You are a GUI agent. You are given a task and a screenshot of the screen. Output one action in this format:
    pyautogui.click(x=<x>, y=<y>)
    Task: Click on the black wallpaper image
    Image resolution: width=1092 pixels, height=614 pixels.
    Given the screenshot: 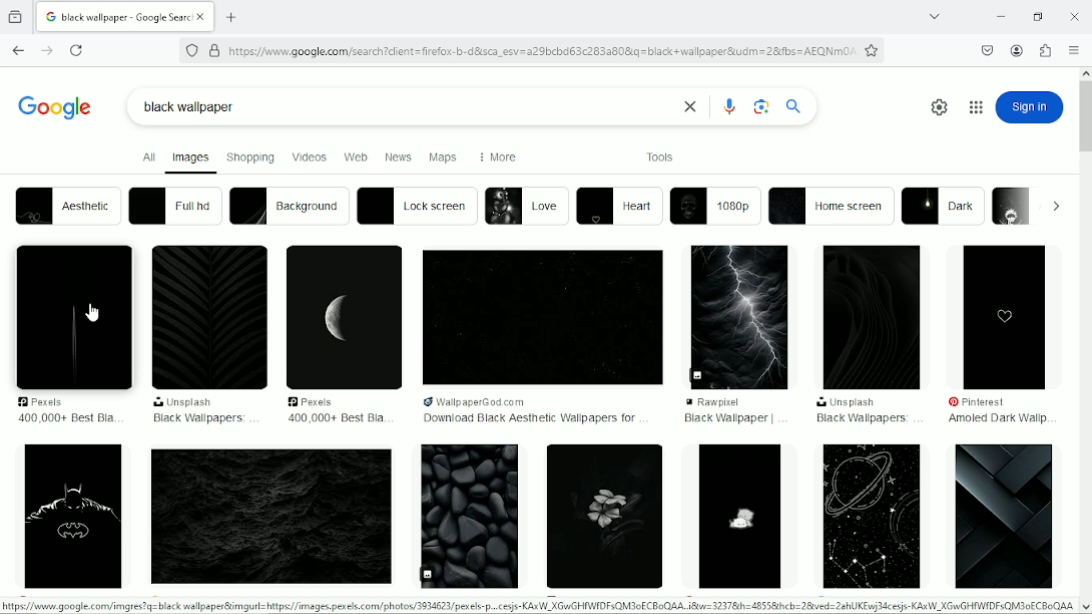 What is the action you would take?
    pyautogui.click(x=271, y=517)
    